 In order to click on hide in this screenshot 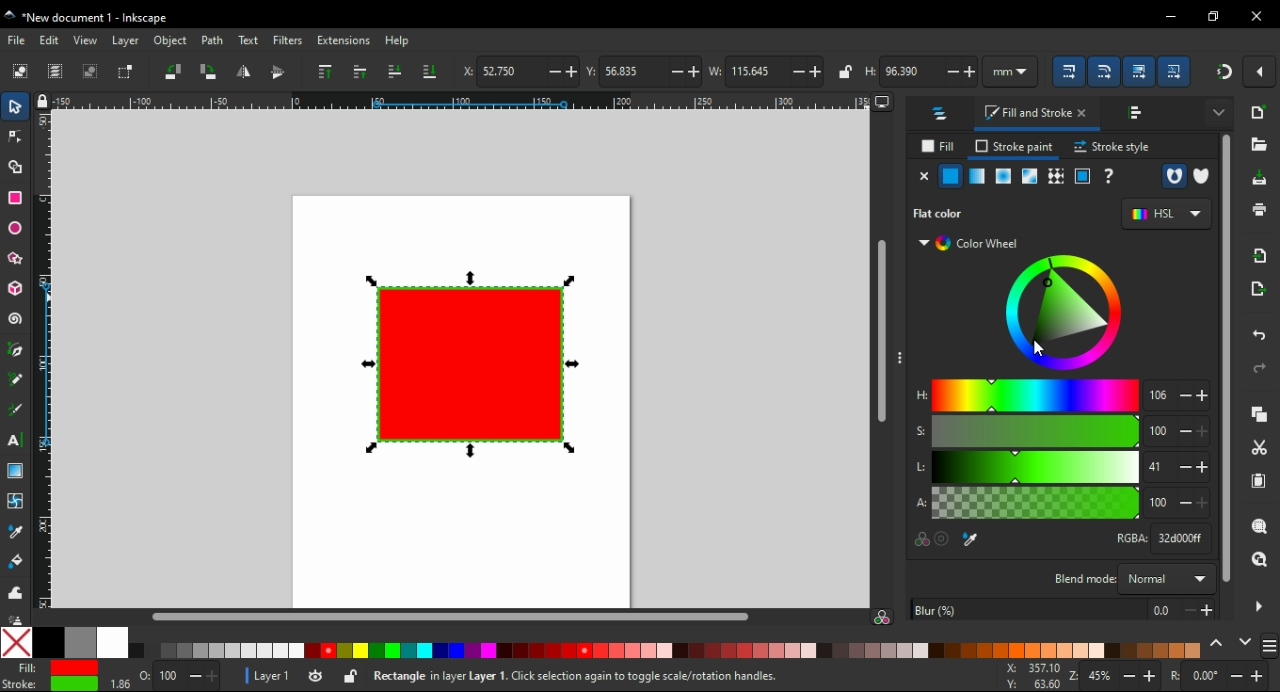, I will do `click(1258, 607)`.